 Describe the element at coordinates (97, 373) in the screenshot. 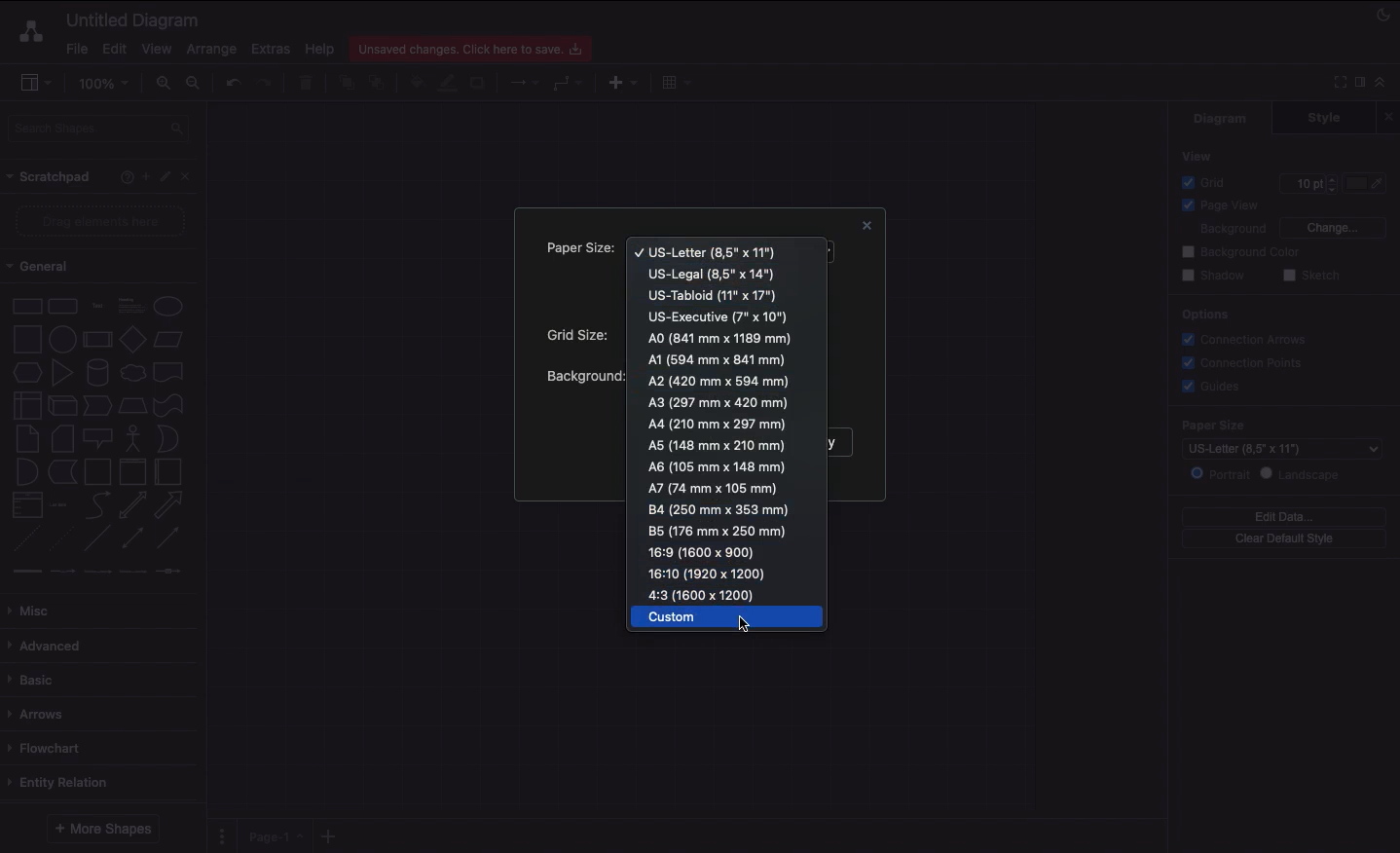

I see `Cylinder` at that location.